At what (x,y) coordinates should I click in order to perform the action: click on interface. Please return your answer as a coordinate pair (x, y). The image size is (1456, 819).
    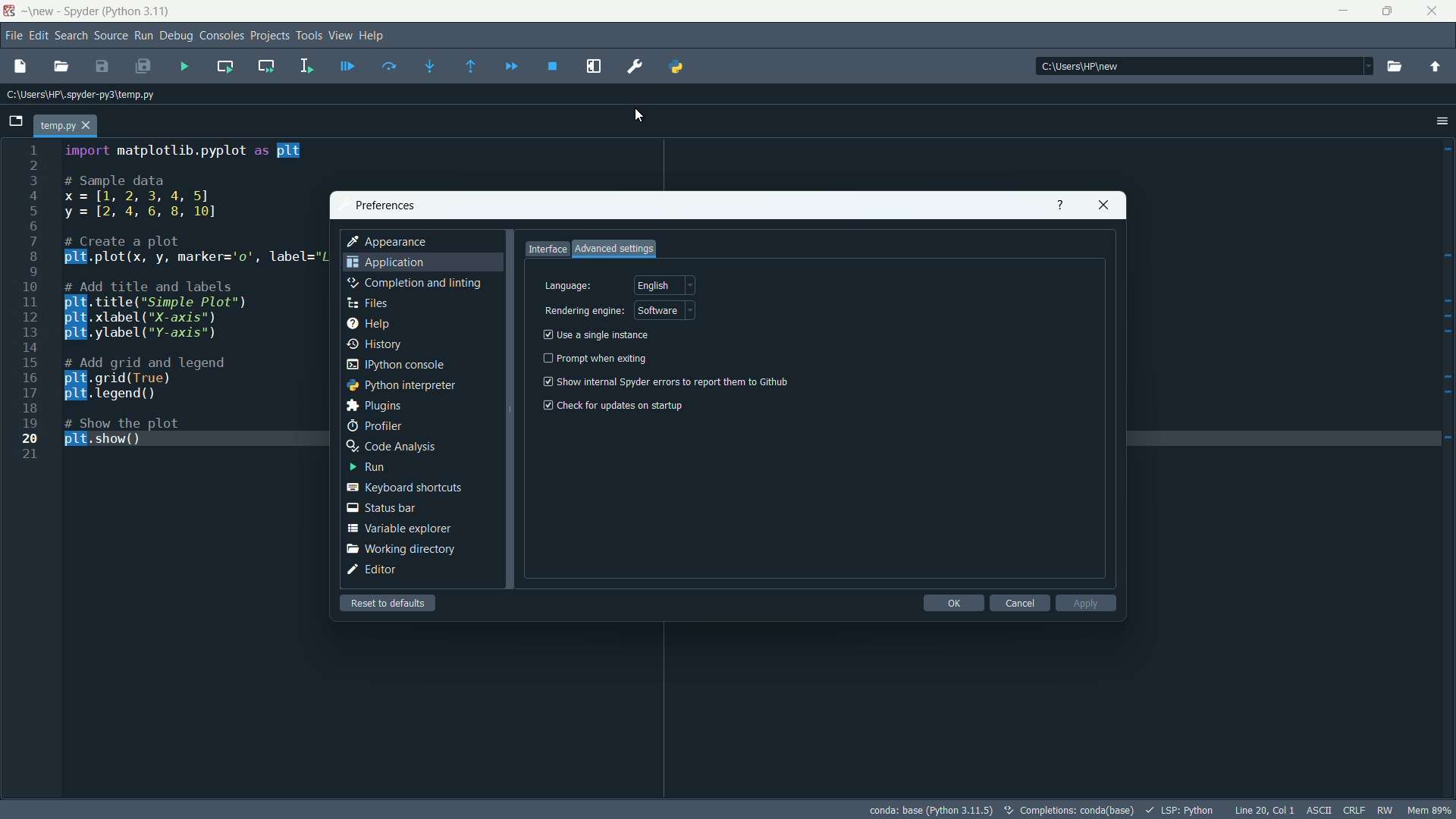
    Looking at the image, I should click on (547, 249).